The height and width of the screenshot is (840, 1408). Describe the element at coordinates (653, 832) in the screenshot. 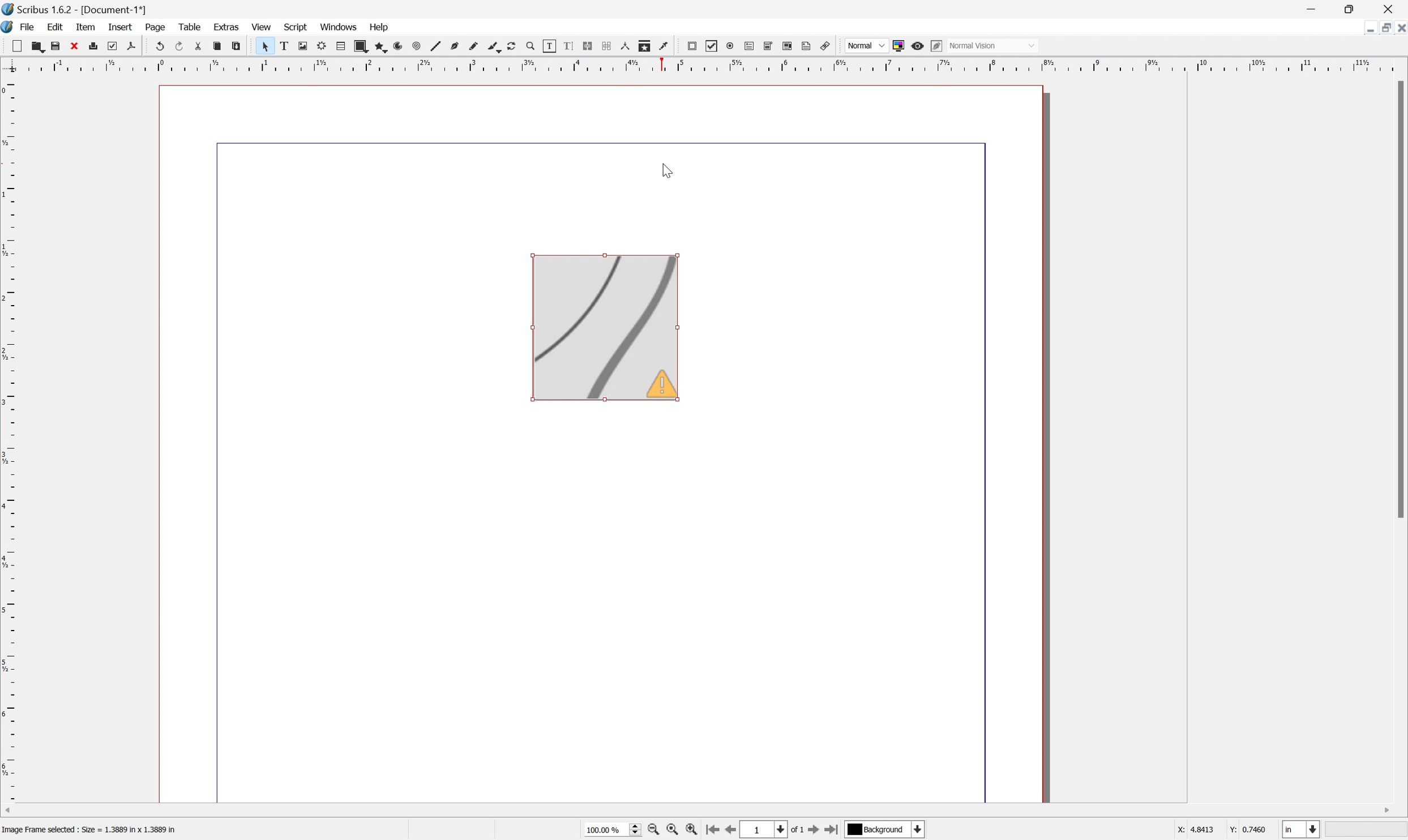

I see `Zoom out by the stepping value in tools preferences` at that location.